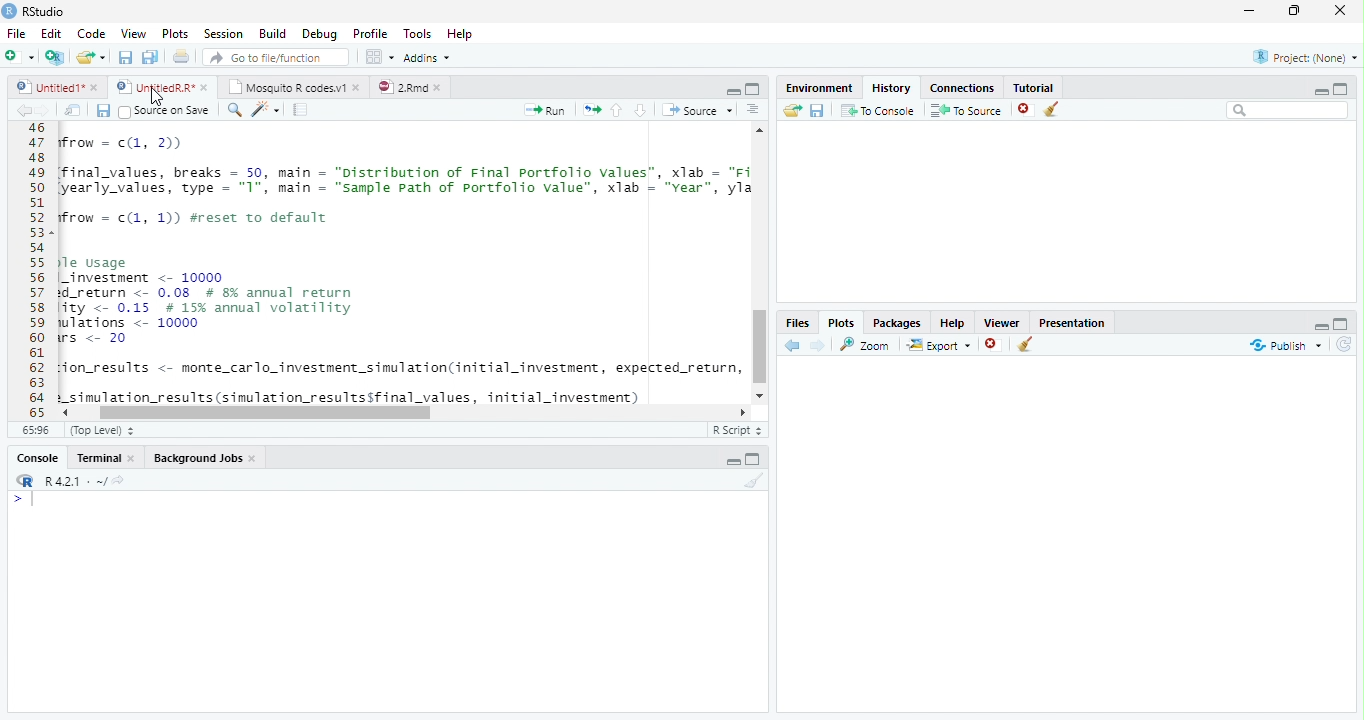 The image size is (1364, 720). Describe the element at coordinates (877, 110) in the screenshot. I see `To Console` at that location.